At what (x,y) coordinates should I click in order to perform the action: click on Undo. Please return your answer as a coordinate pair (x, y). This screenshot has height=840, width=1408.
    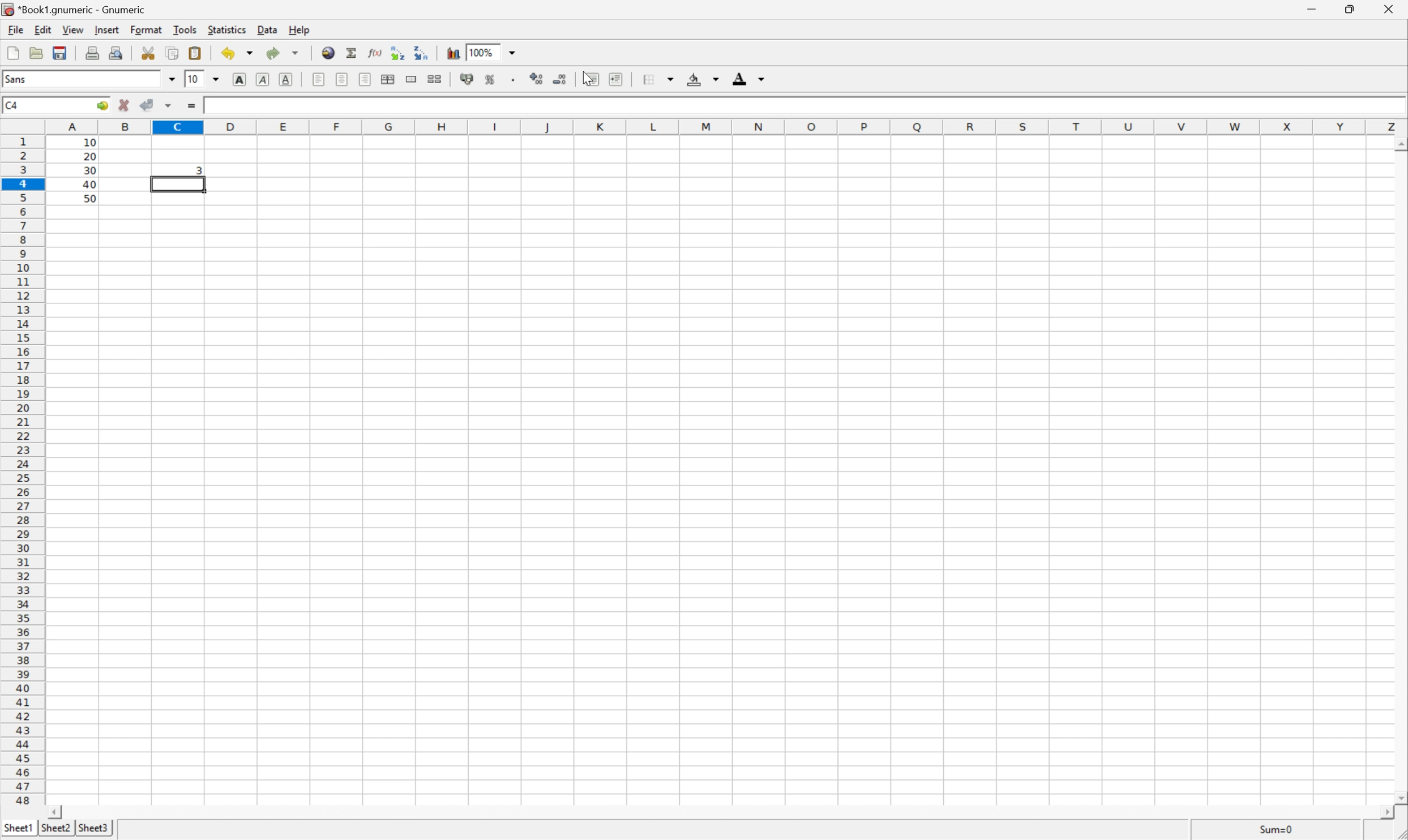
    Looking at the image, I should click on (226, 54).